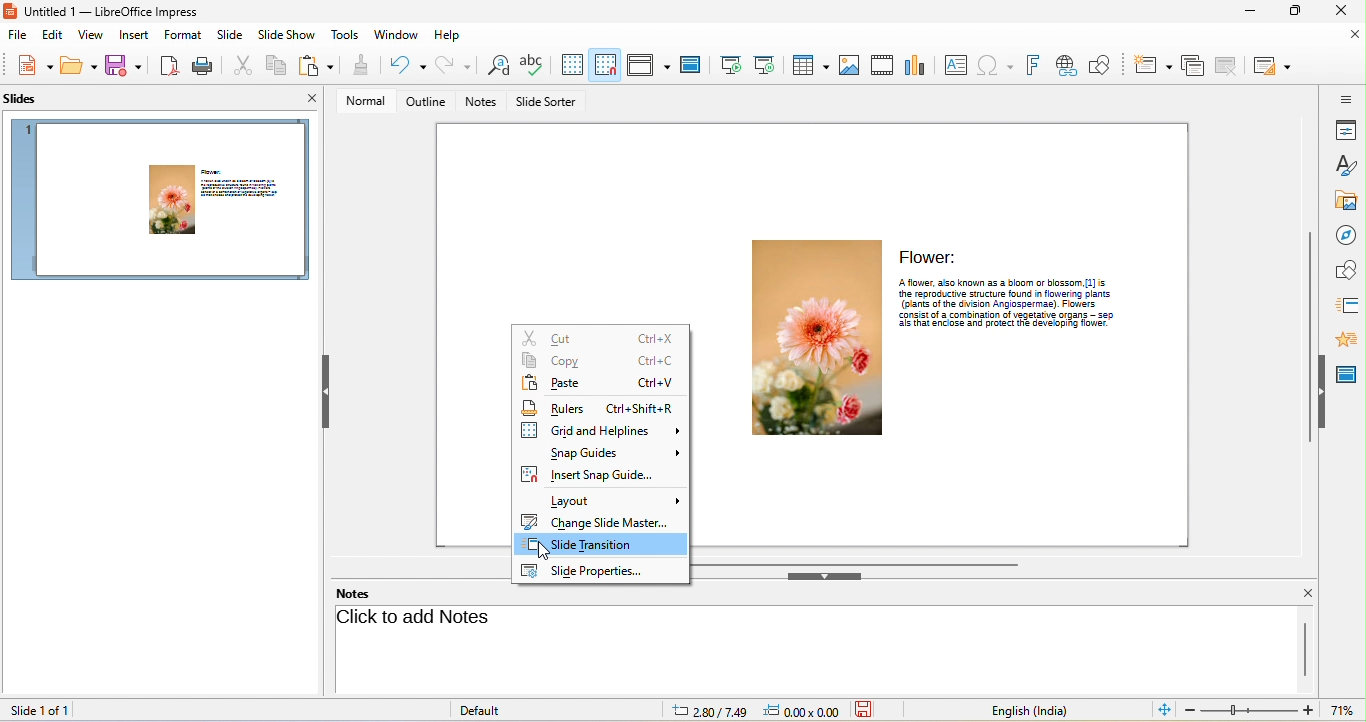 The width and height of the screenshot is (1366, 722). Describe the element at coordinates (31, 68) in the screenshot. I see `new` at that location.